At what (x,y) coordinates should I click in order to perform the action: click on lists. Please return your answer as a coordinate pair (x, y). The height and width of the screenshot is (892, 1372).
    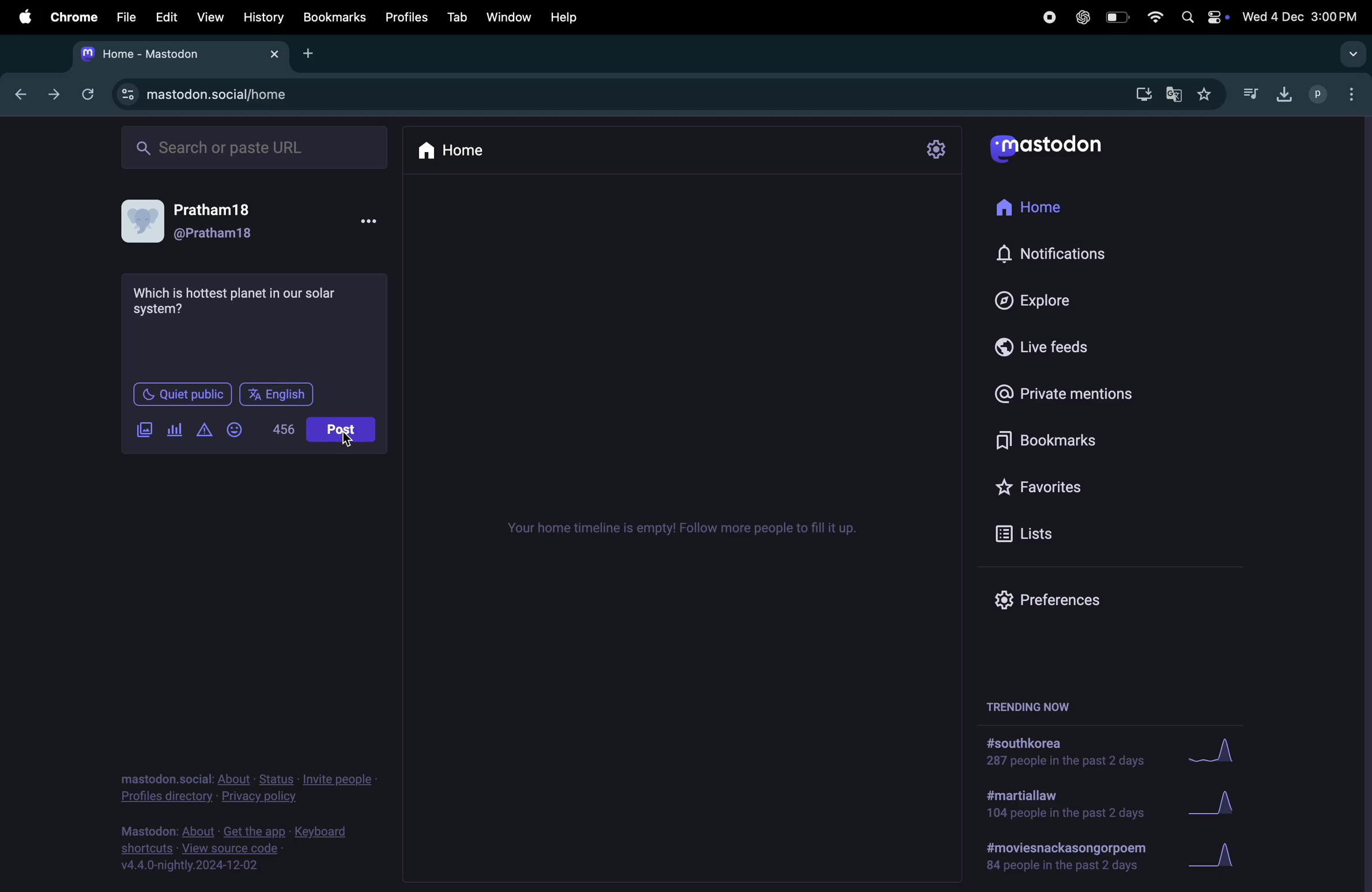
    Looking at the image, I should click on (1034, 531).